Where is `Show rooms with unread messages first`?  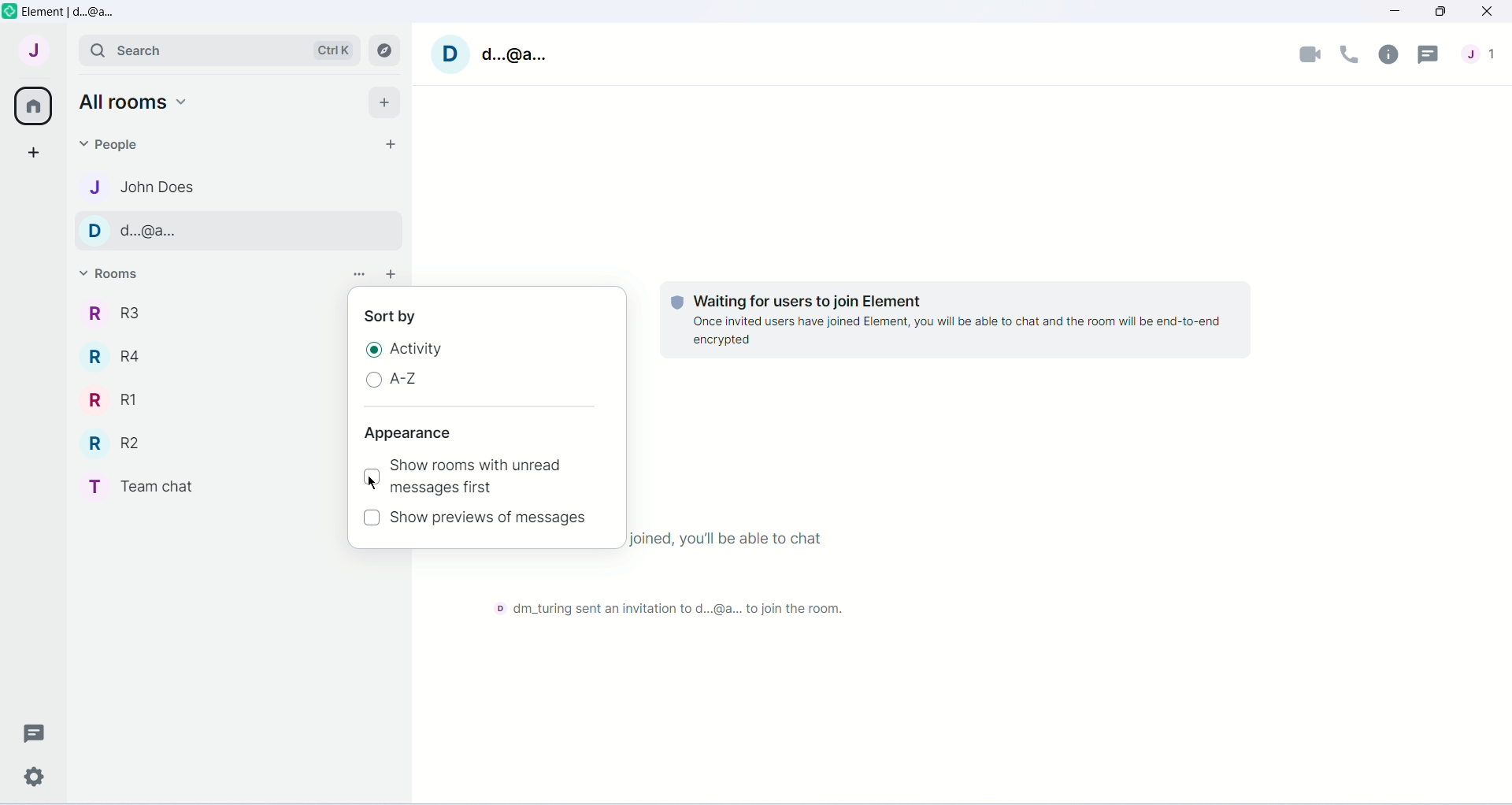 Show rooms with unread messages first is located at coordinates (490, 477).